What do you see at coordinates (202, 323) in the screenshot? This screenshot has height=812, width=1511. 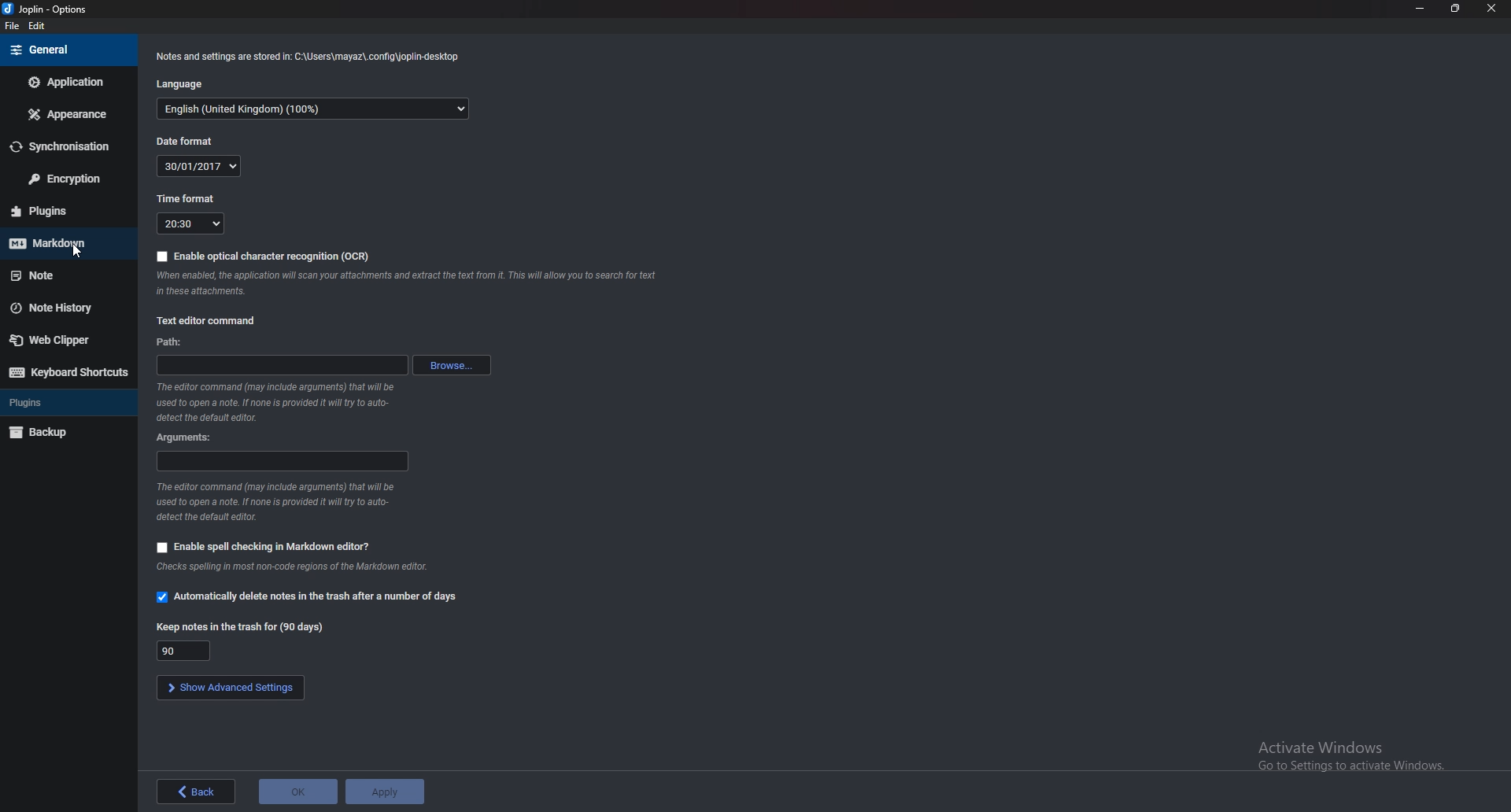 I see `Text editor command` at bounding box center [202, 323].